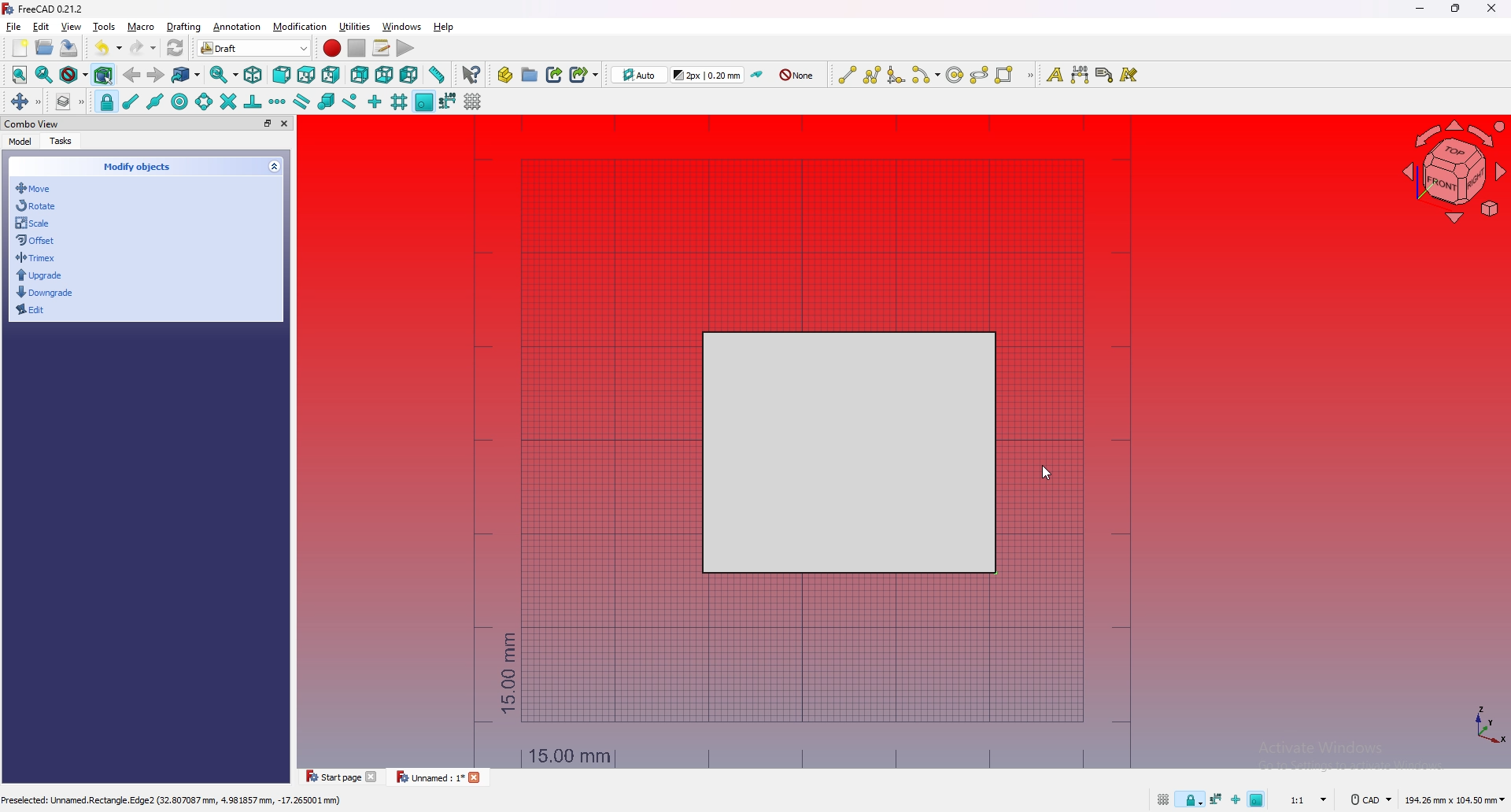  I want to click on snap parallel, so click(302, 101).